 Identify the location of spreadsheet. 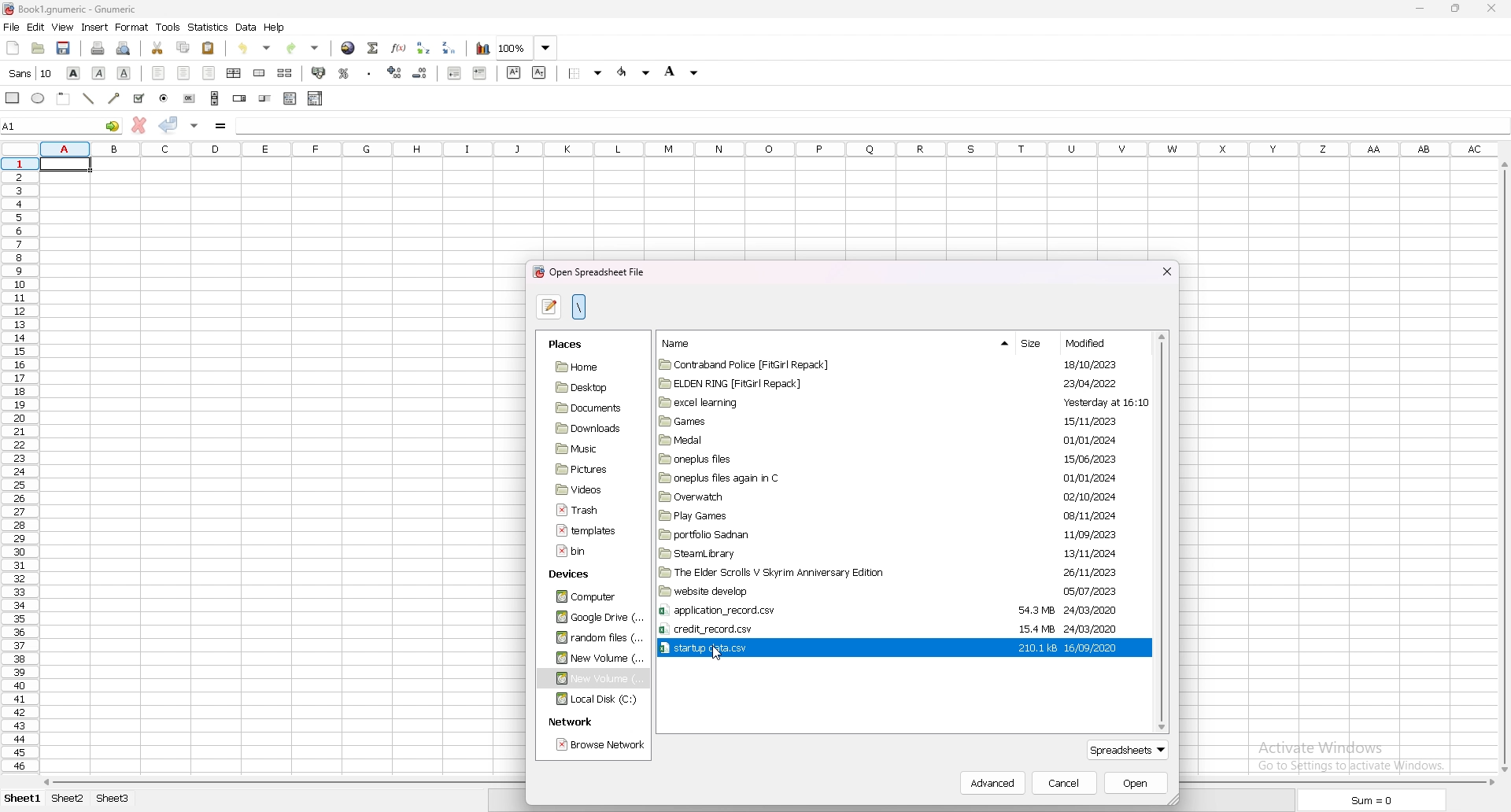
(1131, 751).